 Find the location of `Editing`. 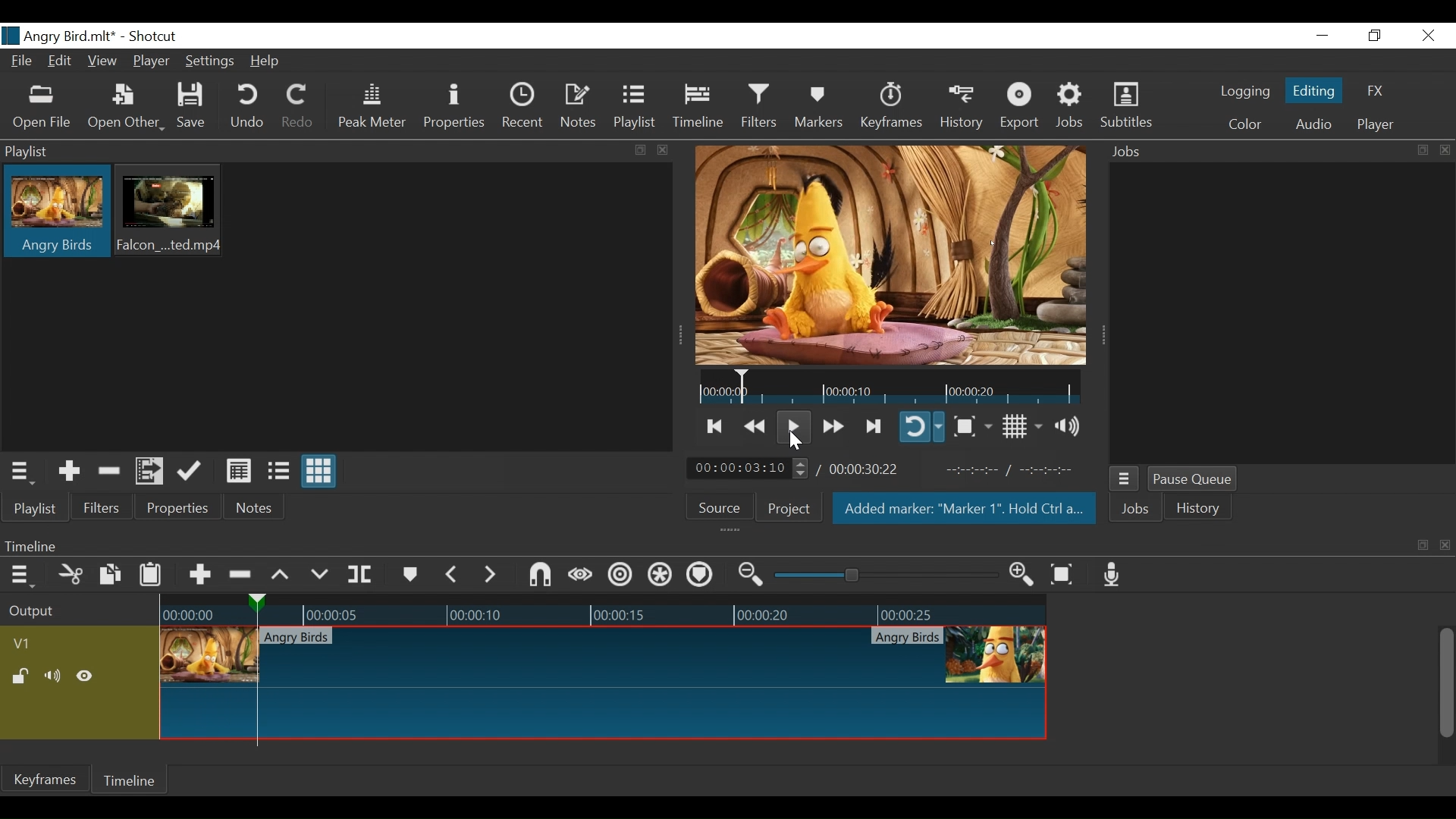

Editing is located at coordinates (1314, 93).